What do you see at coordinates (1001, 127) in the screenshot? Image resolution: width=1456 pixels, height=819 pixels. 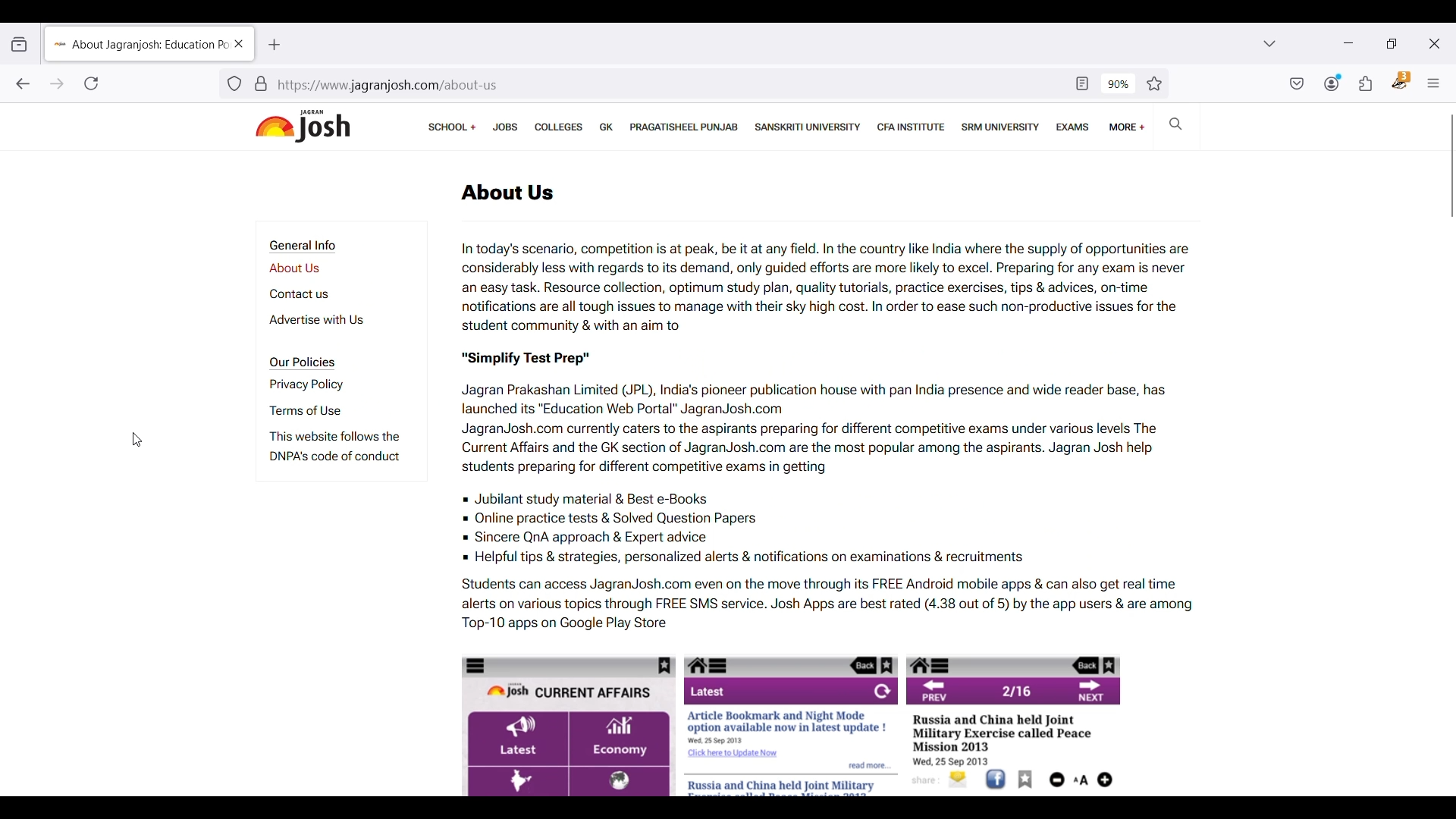 I see `SRM university page` at bounding box center [1001, 127].